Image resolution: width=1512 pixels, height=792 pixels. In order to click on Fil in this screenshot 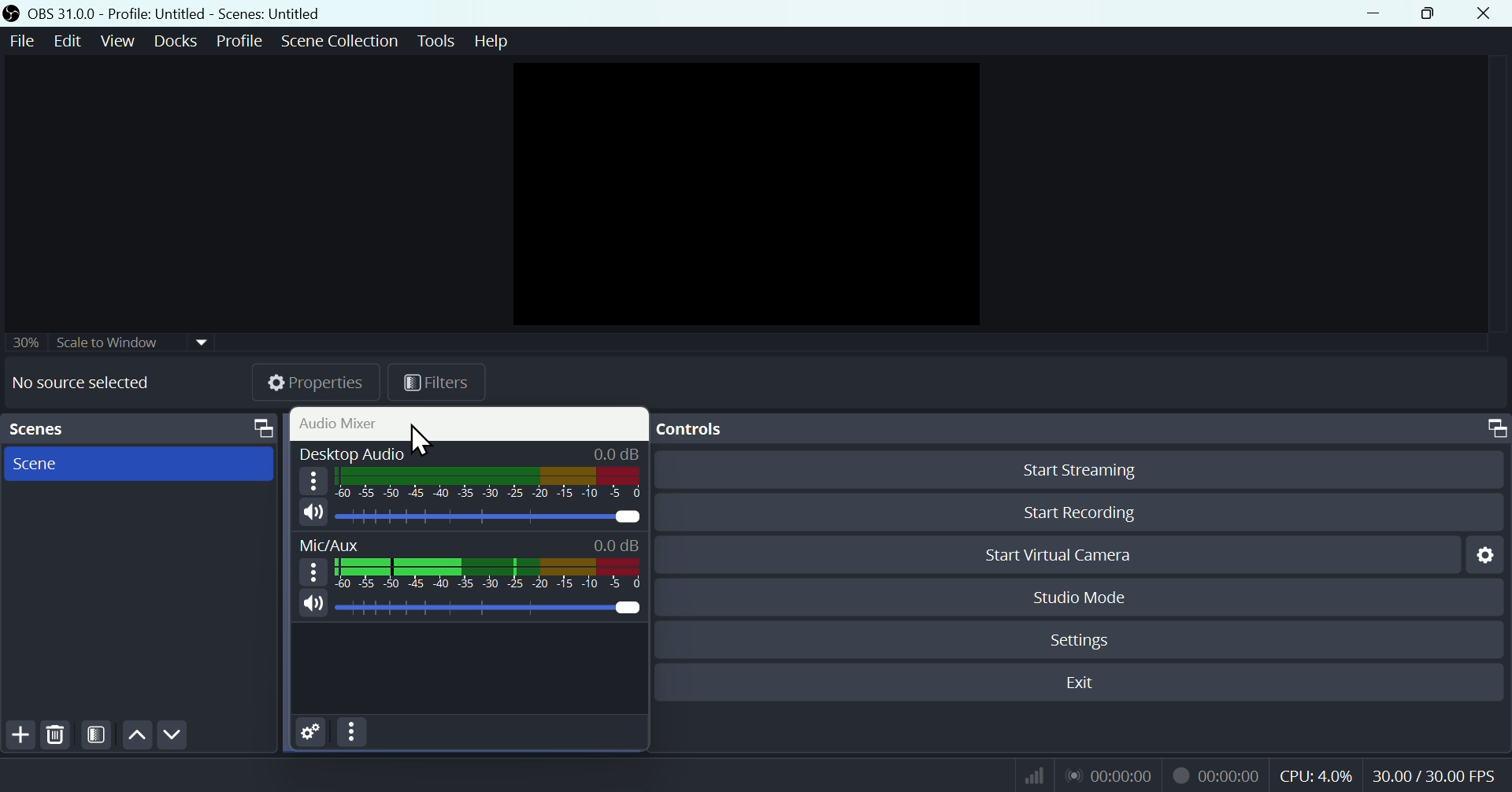, I will do `click(434, 385)`.